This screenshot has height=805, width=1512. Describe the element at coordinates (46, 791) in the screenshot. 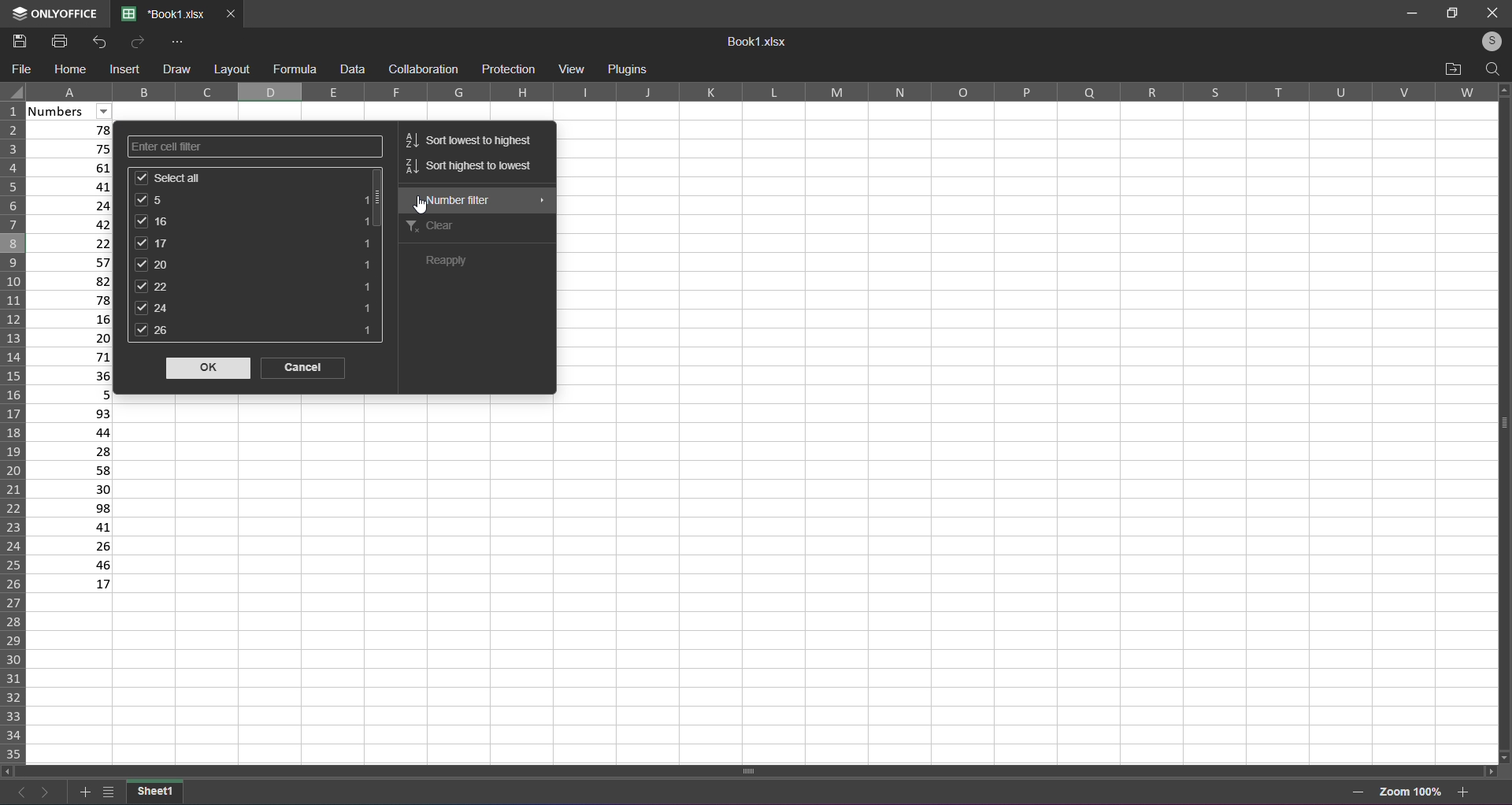

I see `next` at that location.